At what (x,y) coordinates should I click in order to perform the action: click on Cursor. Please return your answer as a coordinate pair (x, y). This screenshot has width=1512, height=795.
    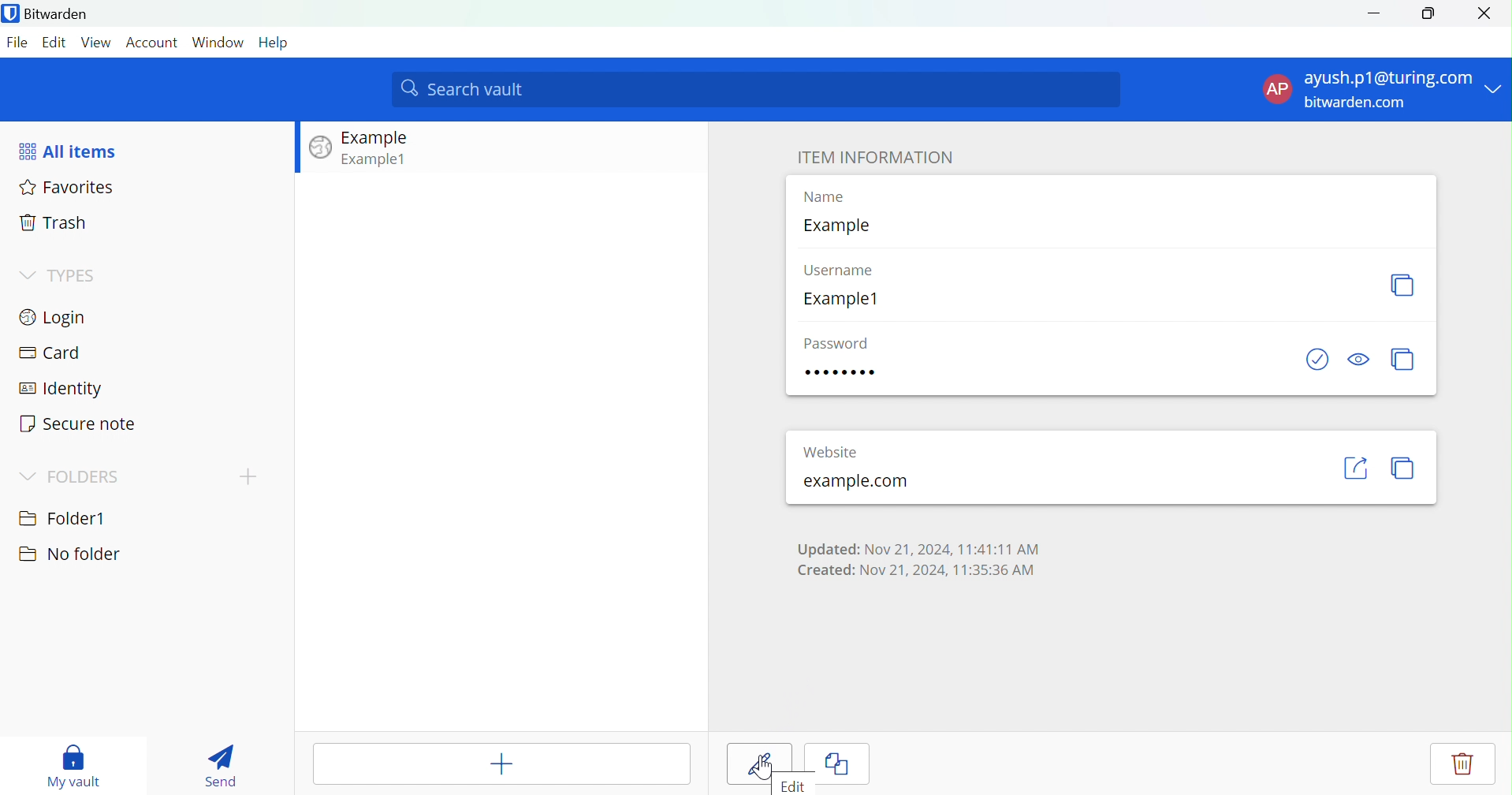
    Looking at the image, I should click on (765, 767).